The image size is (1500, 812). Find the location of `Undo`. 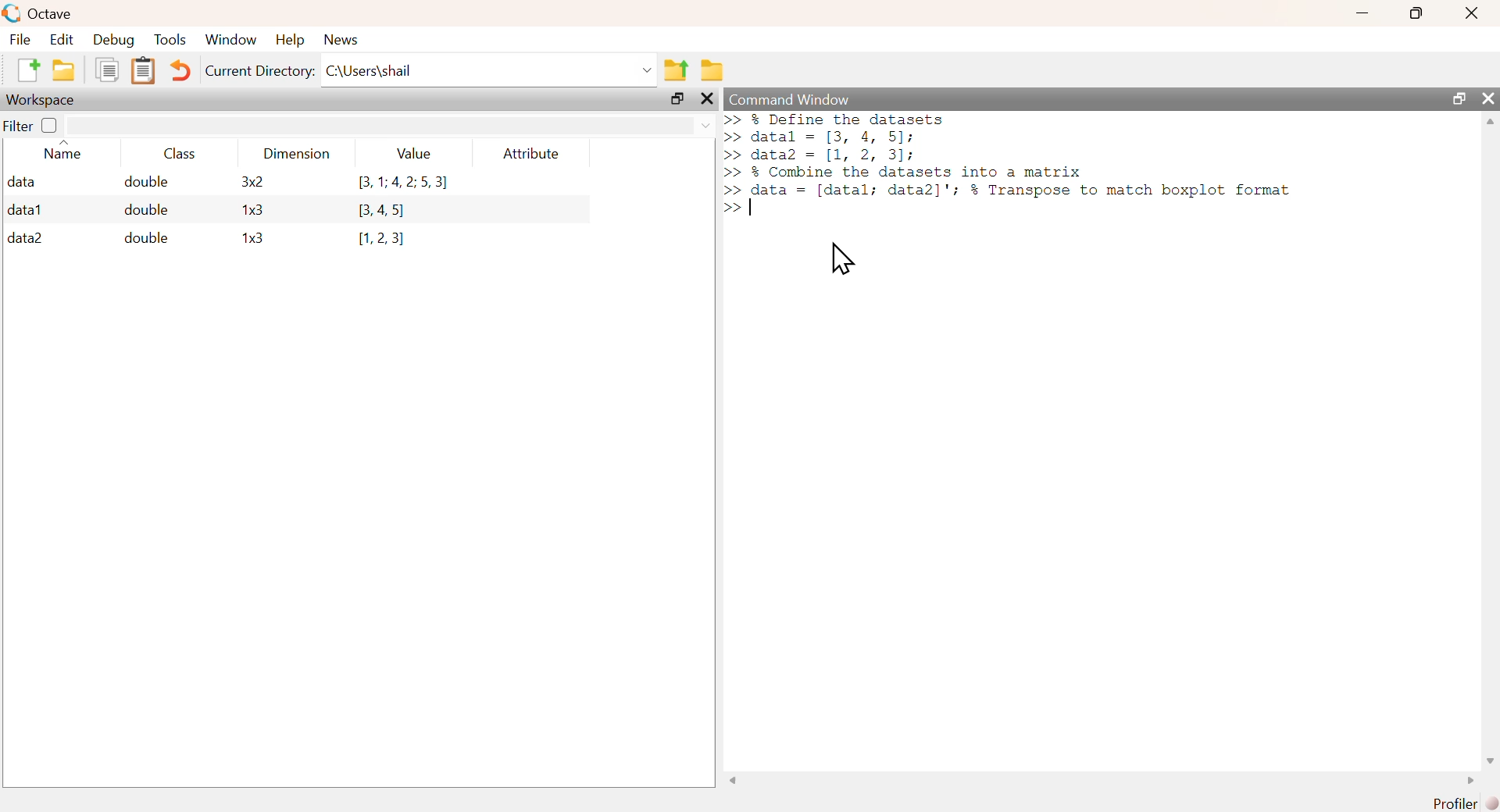

Undo is located at coordinates (182, 72).